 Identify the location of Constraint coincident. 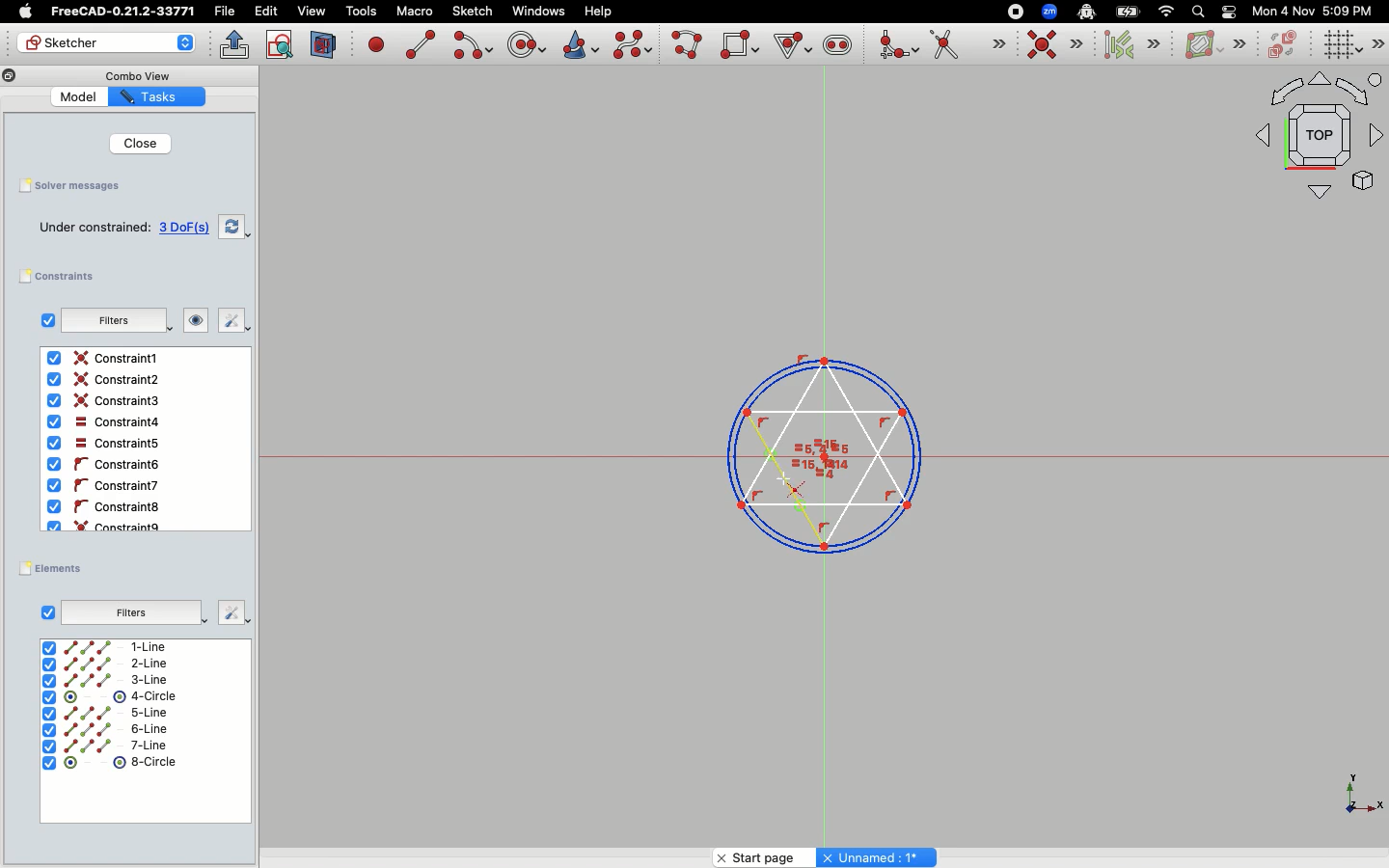
(1055, 45).